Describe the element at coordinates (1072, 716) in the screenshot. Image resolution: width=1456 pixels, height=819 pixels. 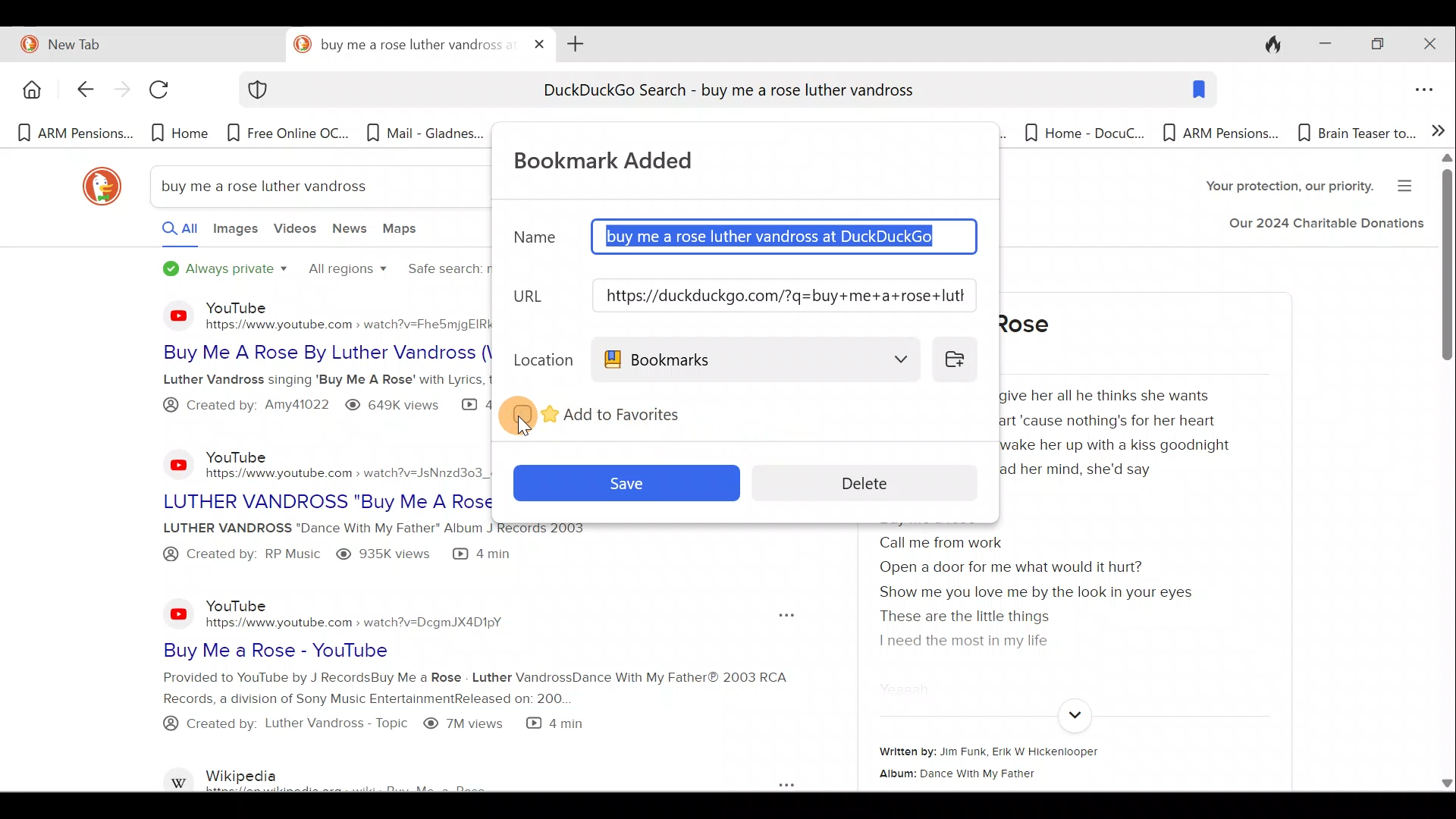
I see `Expand` at that location.